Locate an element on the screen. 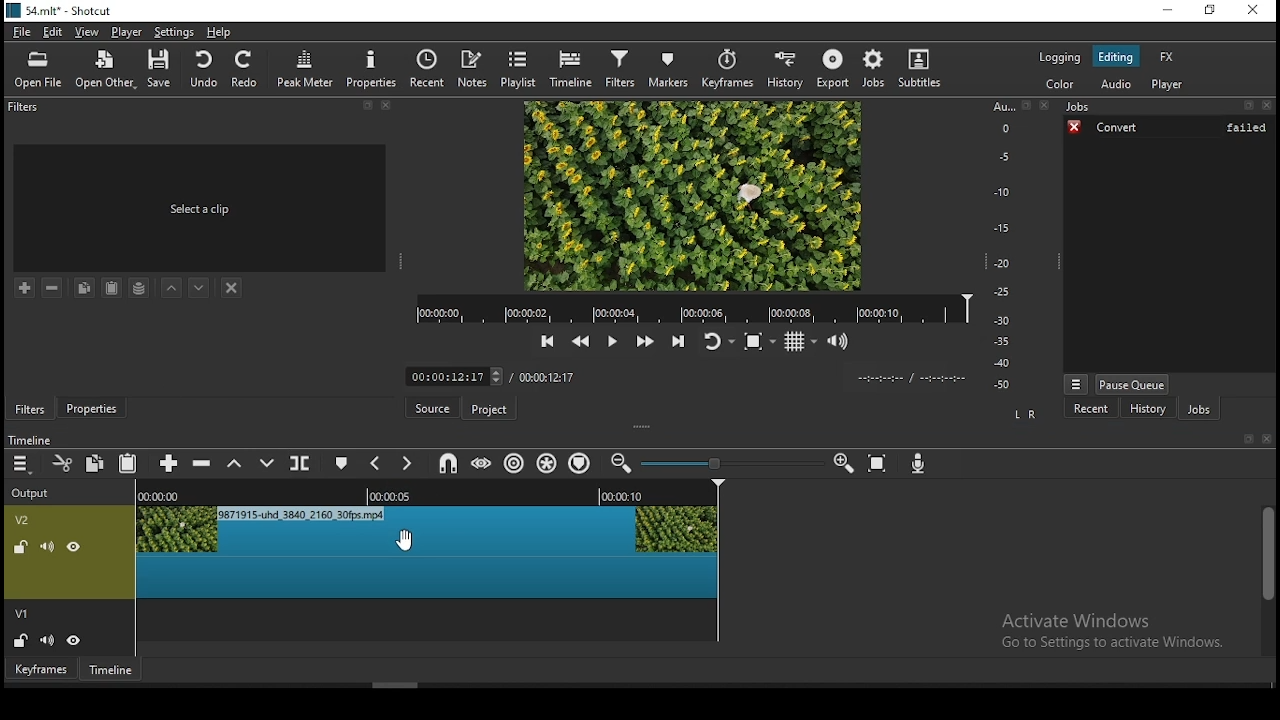 The width and height of the screenshot is (1280, 720). properties is located at coordinates (91, 408).